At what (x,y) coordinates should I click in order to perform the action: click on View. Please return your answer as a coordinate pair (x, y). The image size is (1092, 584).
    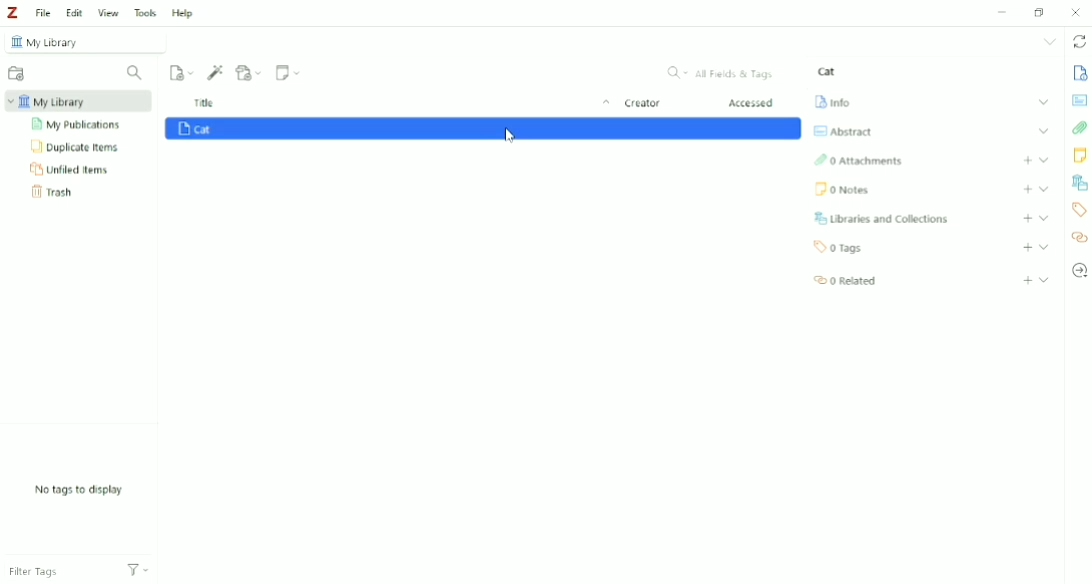
    Looking at the image, I should click on (109, 12).